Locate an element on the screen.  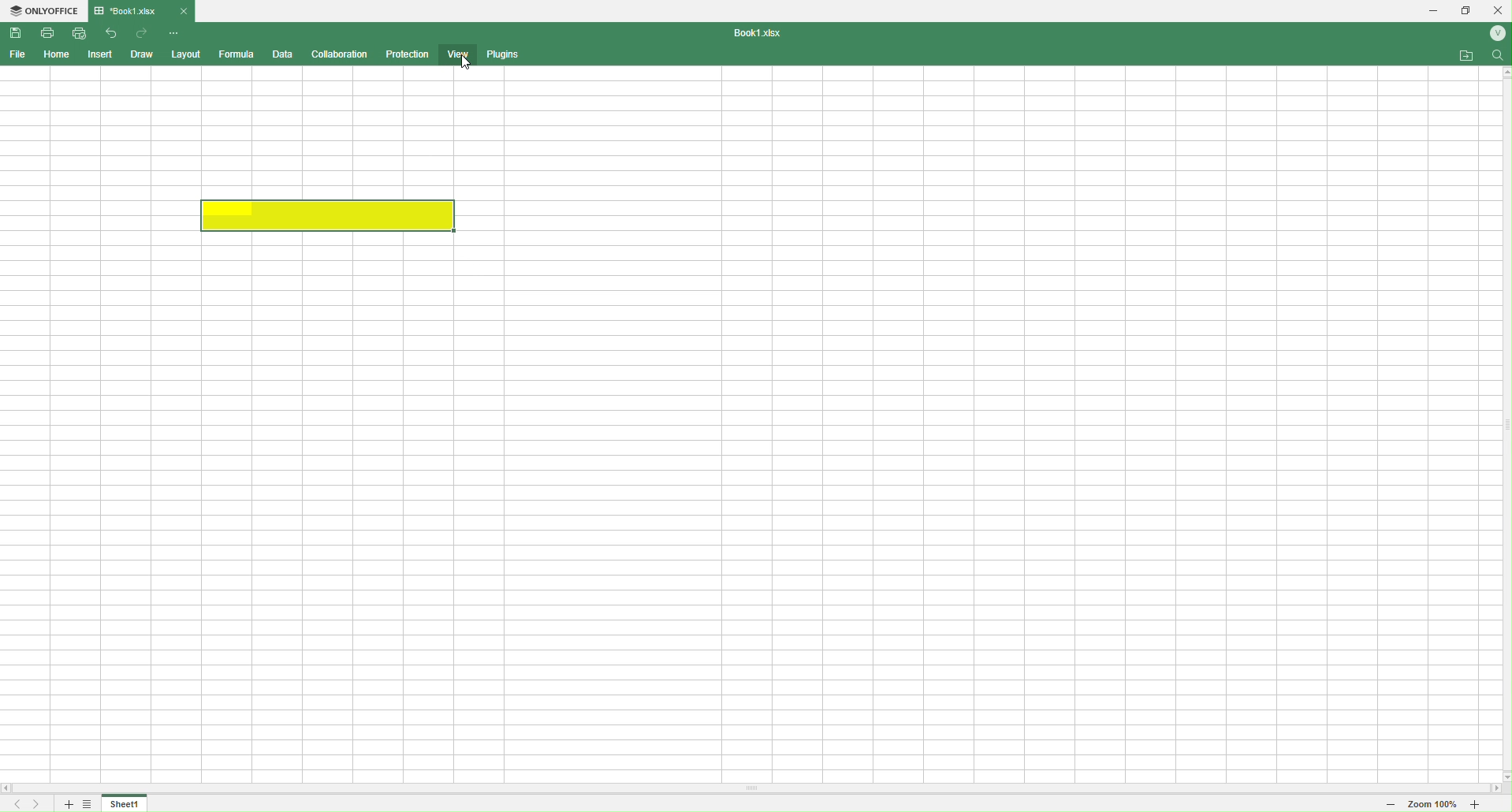
Zoom 100% is located at coordinates (1432, 806).